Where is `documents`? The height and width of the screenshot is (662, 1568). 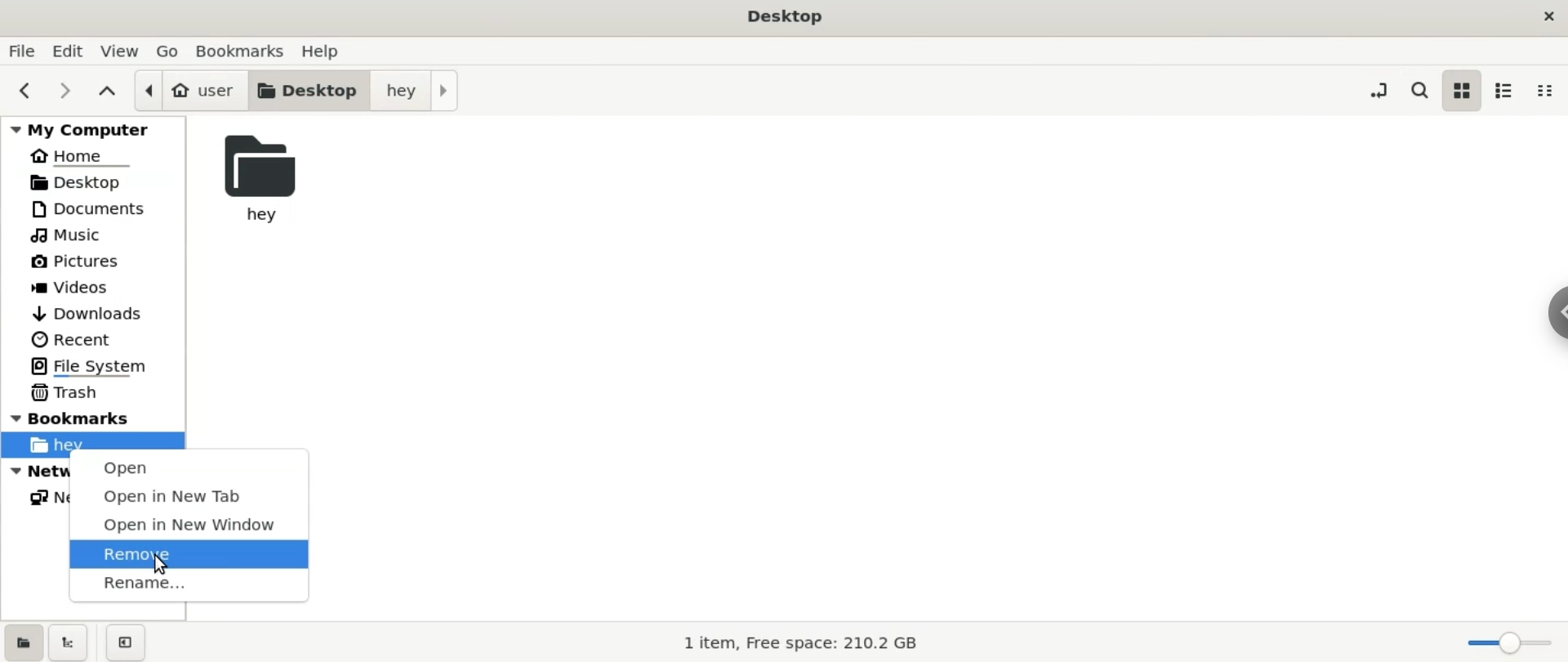
documents is located at coordinates (91, 209).